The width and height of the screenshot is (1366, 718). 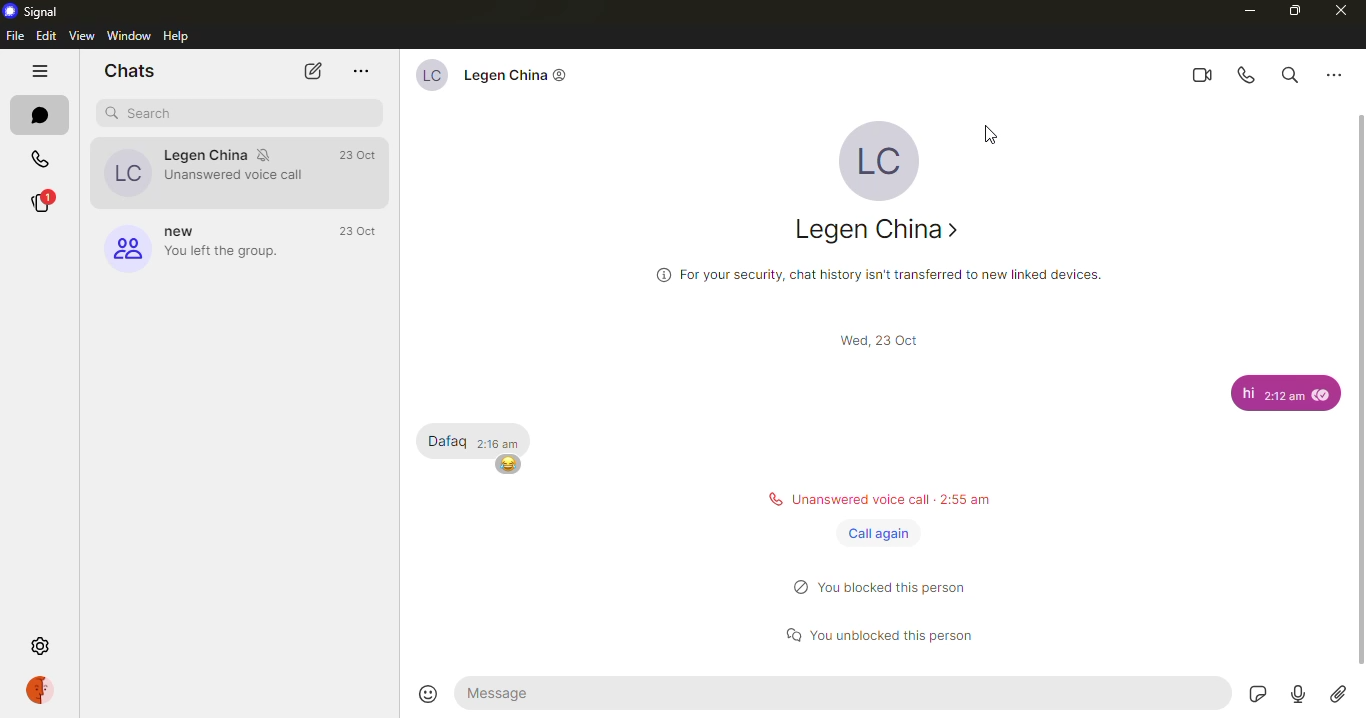 What do you see at coordinates (176, 34) in the screenshot?
I see `help` at bounding box center [176, 34].